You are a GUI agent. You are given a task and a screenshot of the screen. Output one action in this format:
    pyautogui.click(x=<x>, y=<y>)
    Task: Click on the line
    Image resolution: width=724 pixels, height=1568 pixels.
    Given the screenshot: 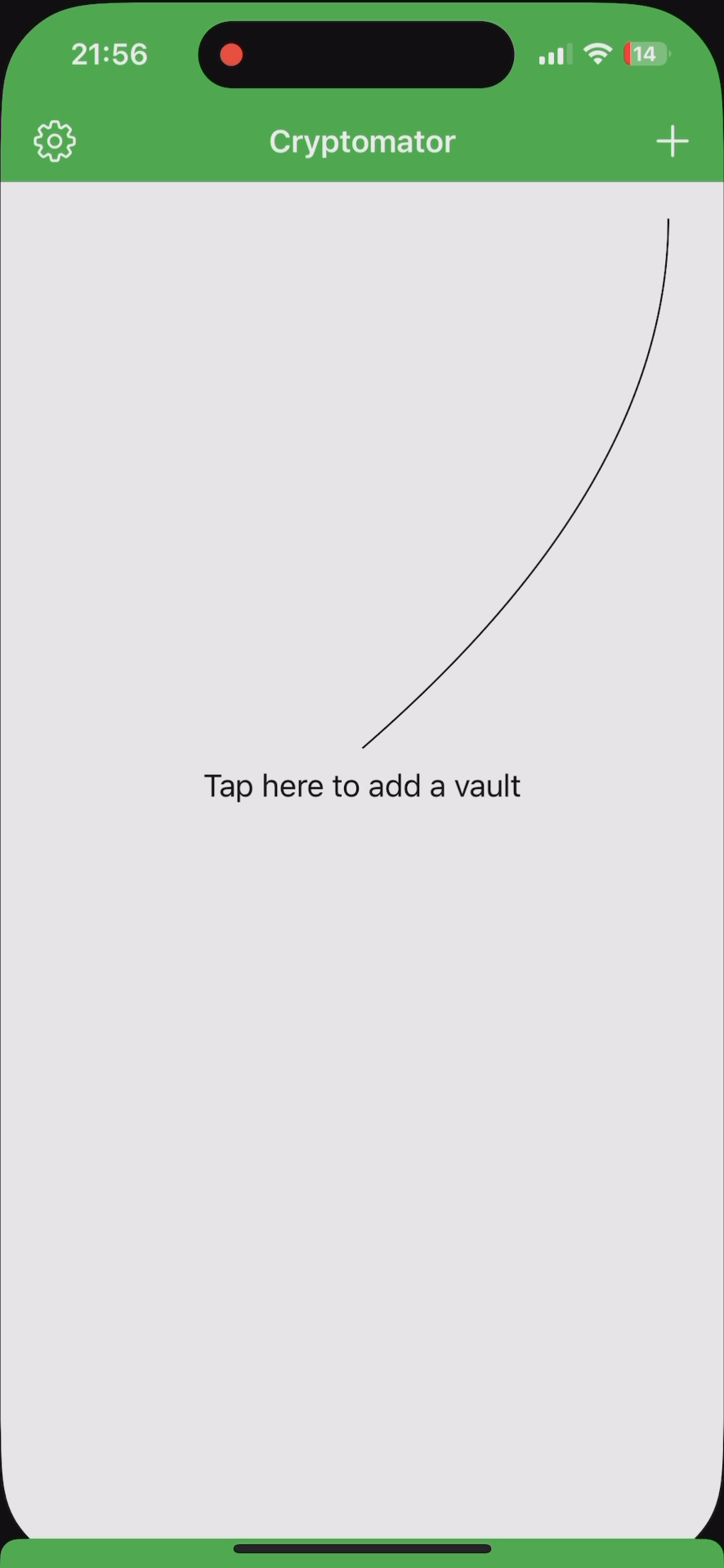 What is the action you would take?
    pyautogui.click(x=514, y=476)
    